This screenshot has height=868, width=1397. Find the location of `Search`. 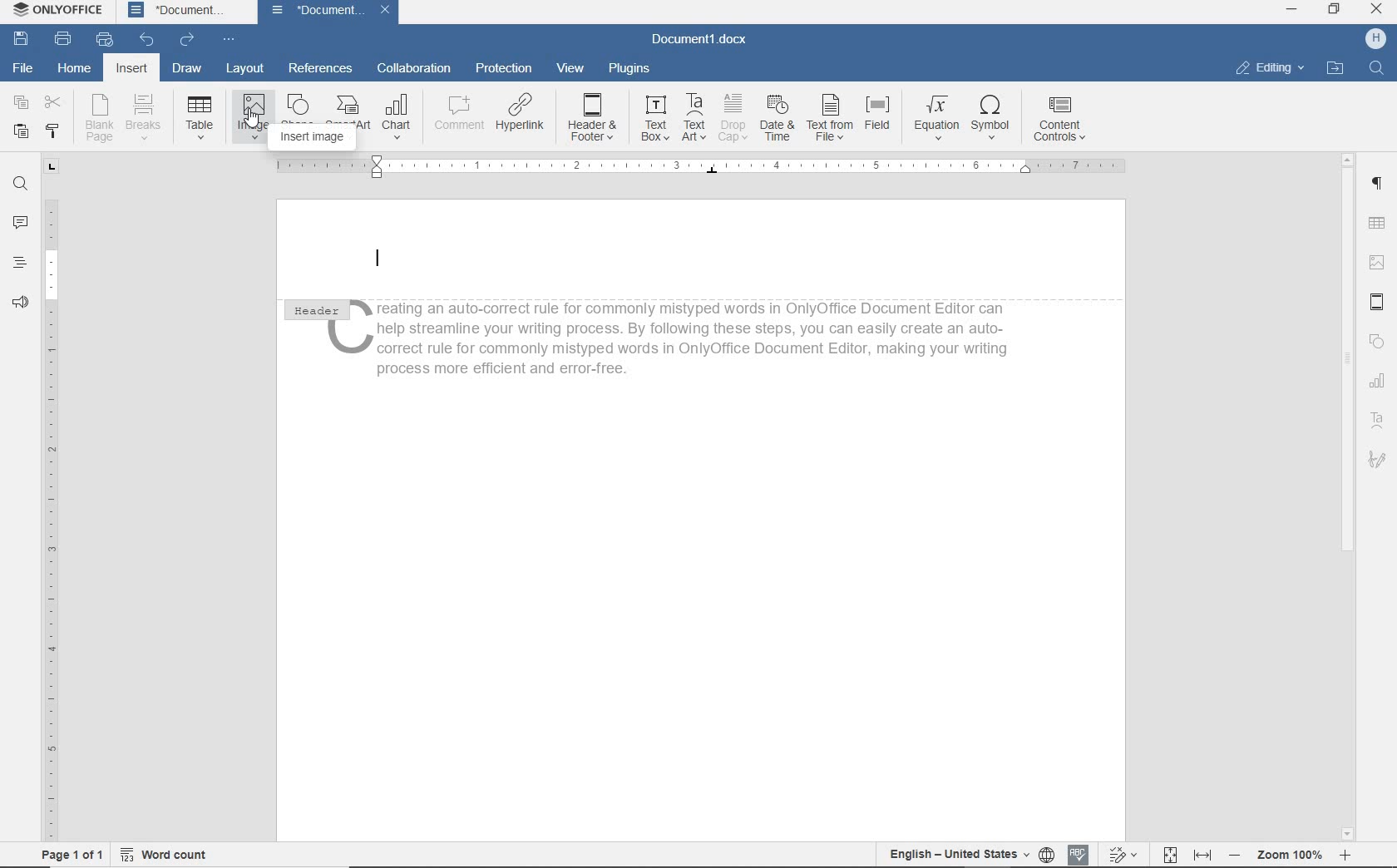

Search is located at coordinates (1375, 68).